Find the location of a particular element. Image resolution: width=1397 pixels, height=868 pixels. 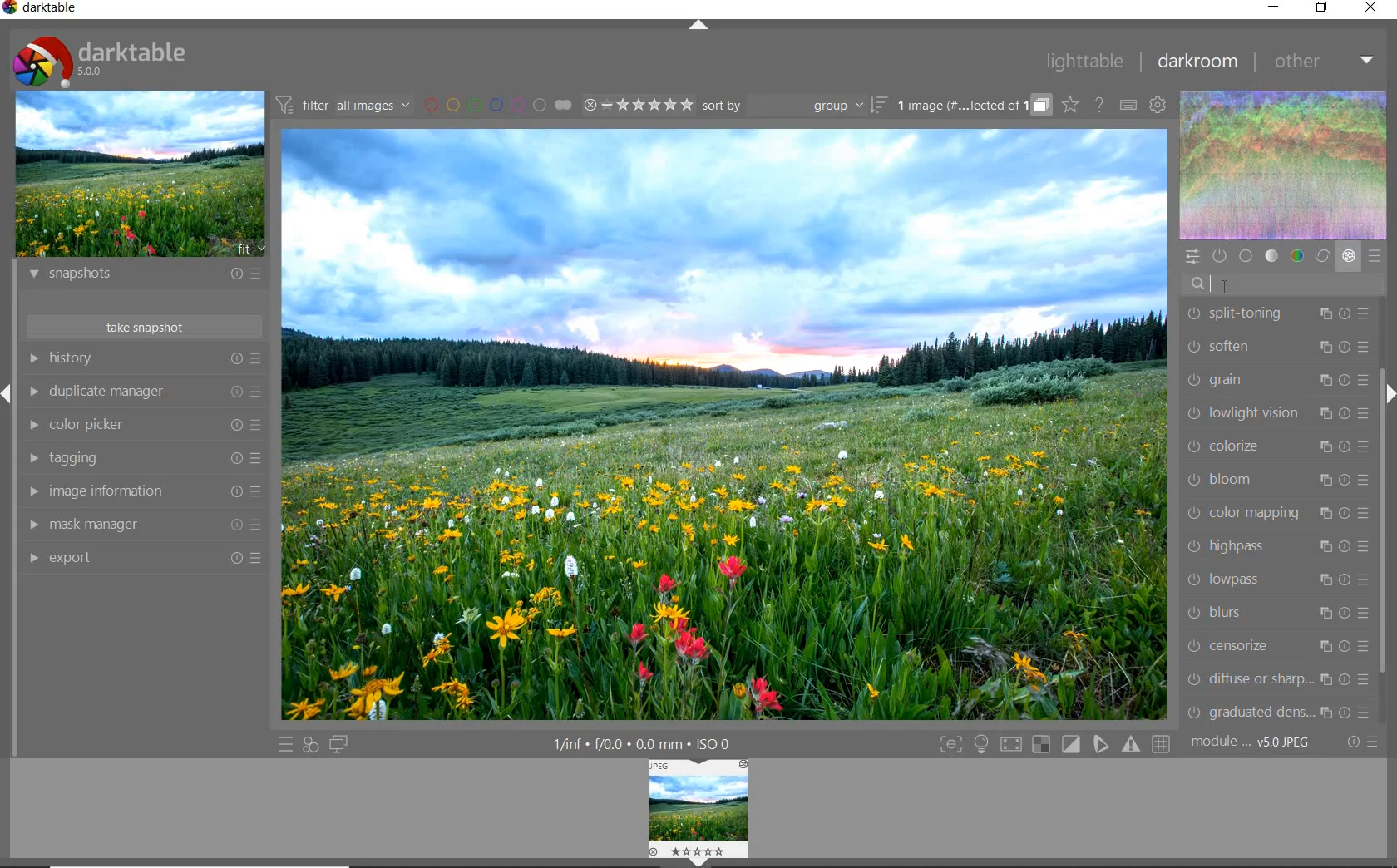

show only active modules is located at coordinates (1218, 254).